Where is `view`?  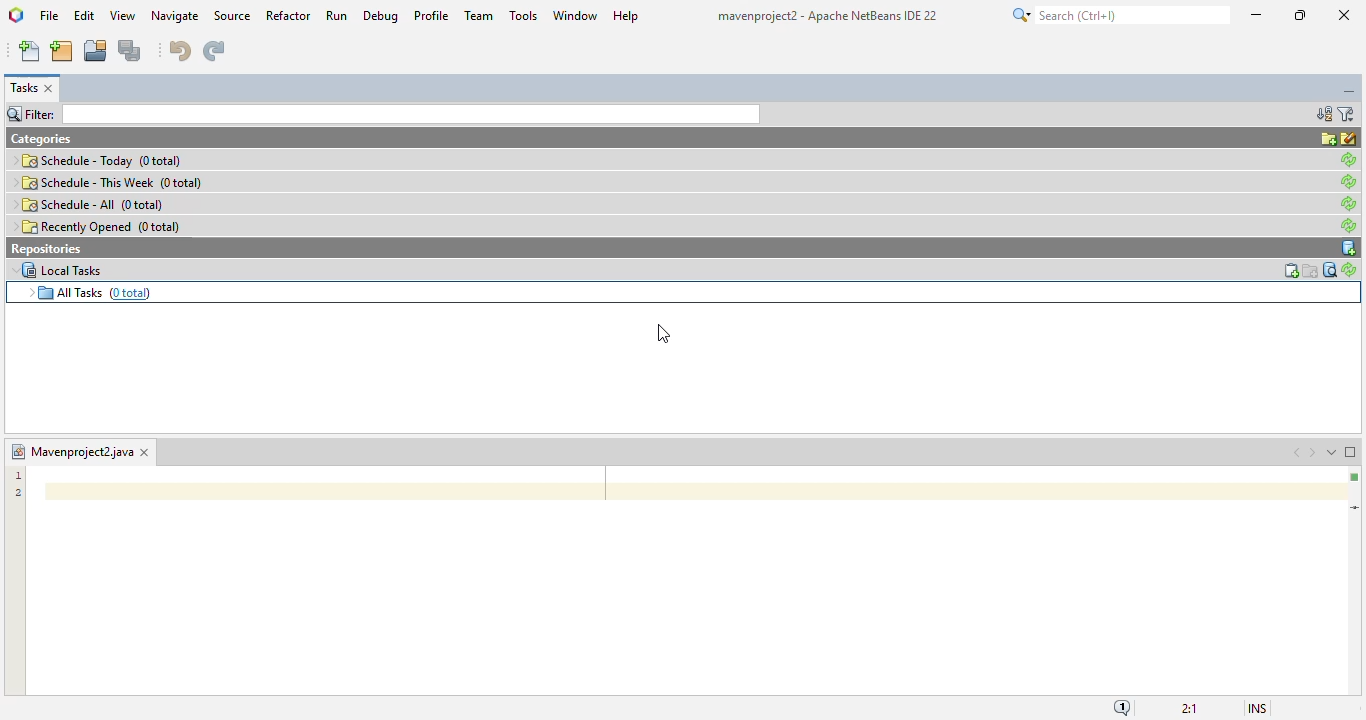 view is located at coordinates (123, 15).